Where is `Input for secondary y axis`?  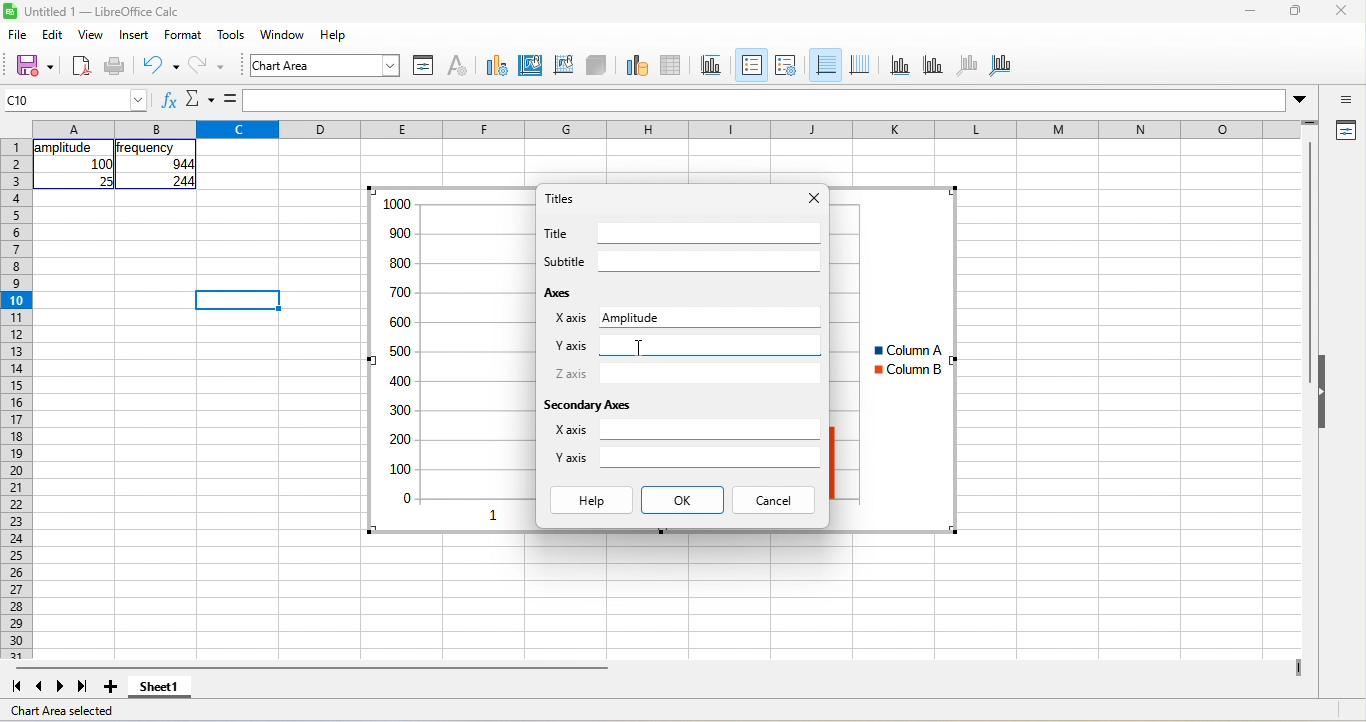 Input for secondary y axis is located at coordinates (710, 457).